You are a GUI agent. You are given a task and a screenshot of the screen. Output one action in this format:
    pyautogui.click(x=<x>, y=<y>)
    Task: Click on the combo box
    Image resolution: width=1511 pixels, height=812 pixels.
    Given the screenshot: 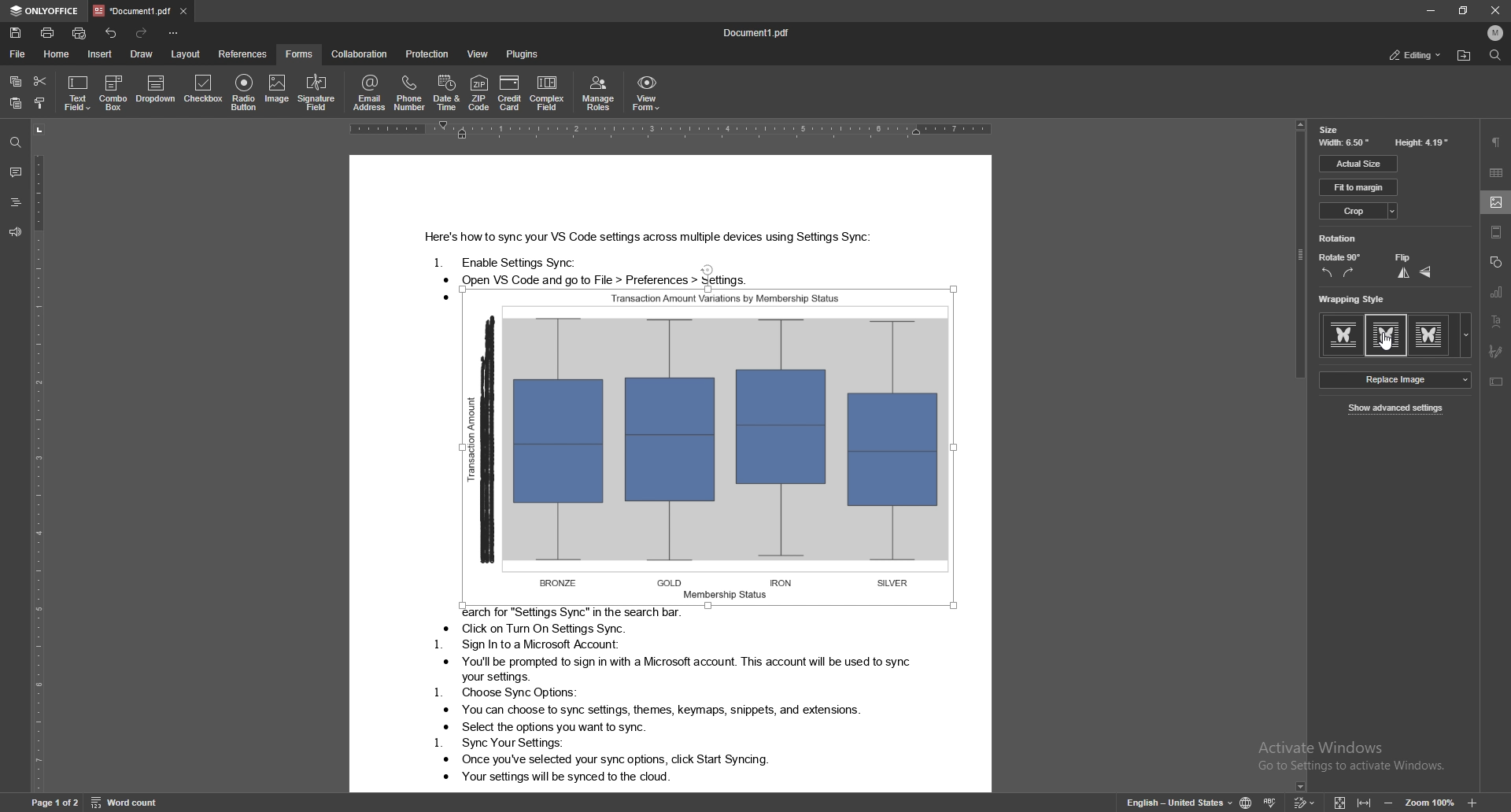 What is the action you would take?
    pyautogui.click(x=113, y=92)
    